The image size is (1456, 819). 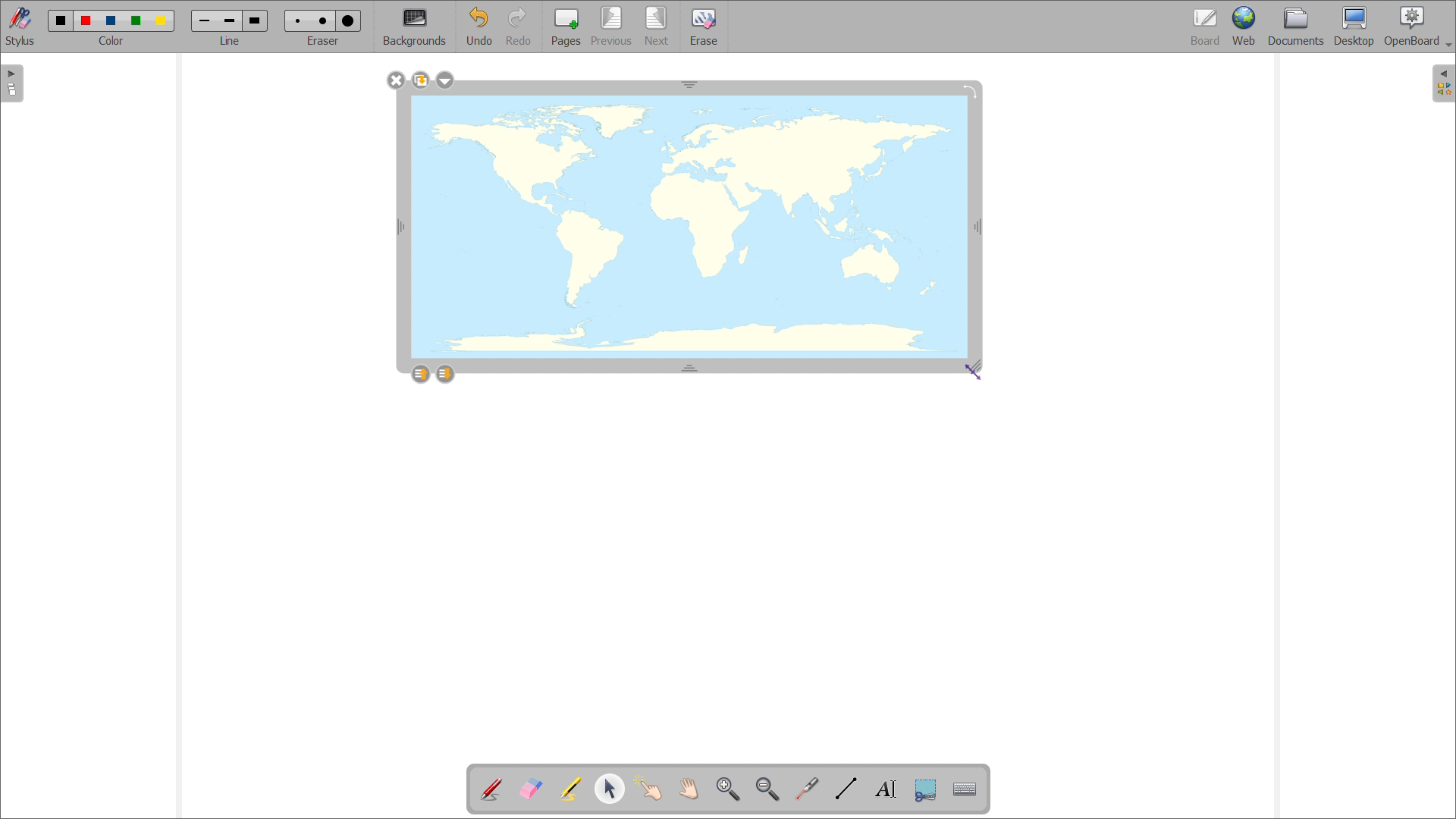 I want to click on resize, so click(x=690, y=366).